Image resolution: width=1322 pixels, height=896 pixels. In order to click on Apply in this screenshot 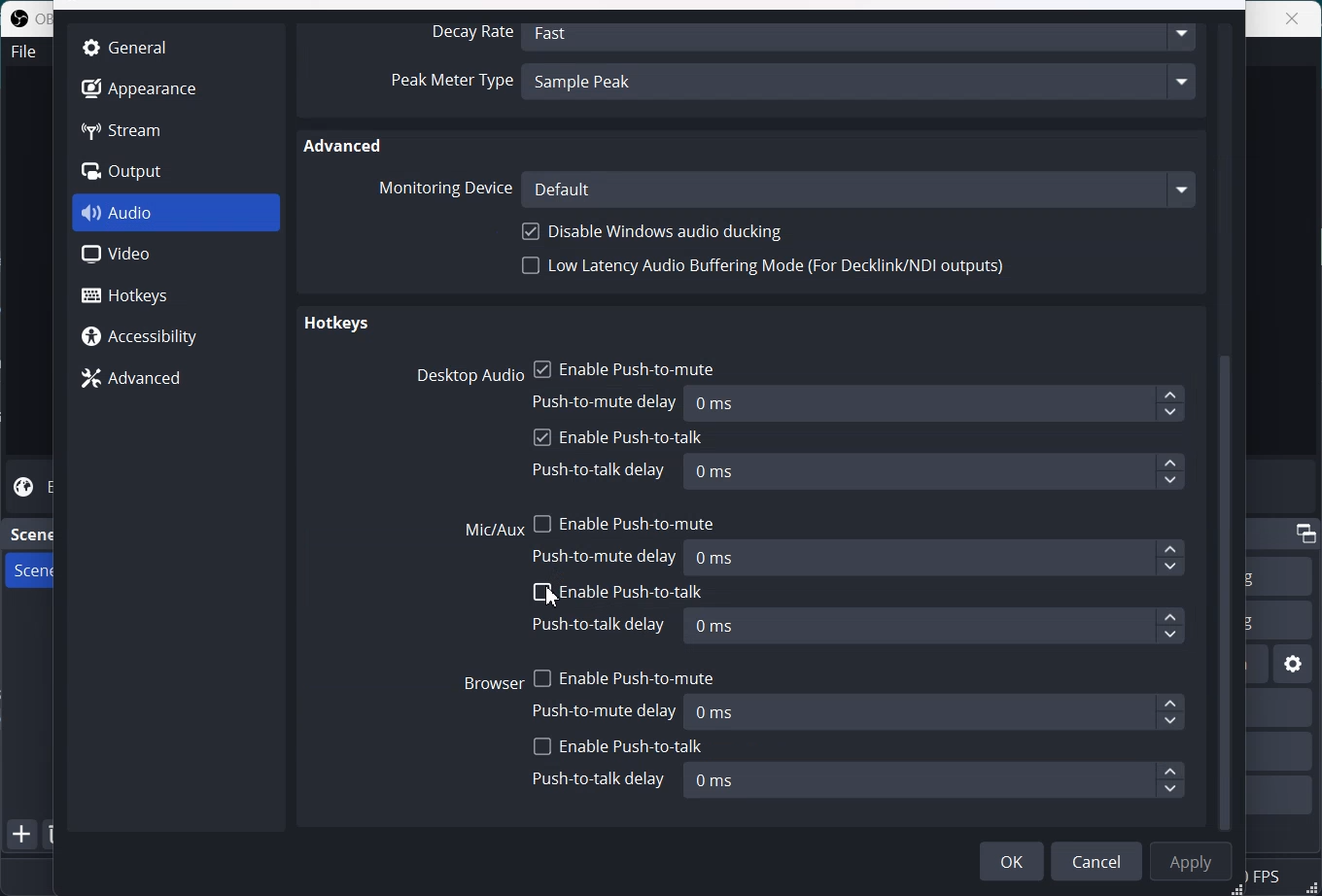, I will do `click(1191, 862)`.